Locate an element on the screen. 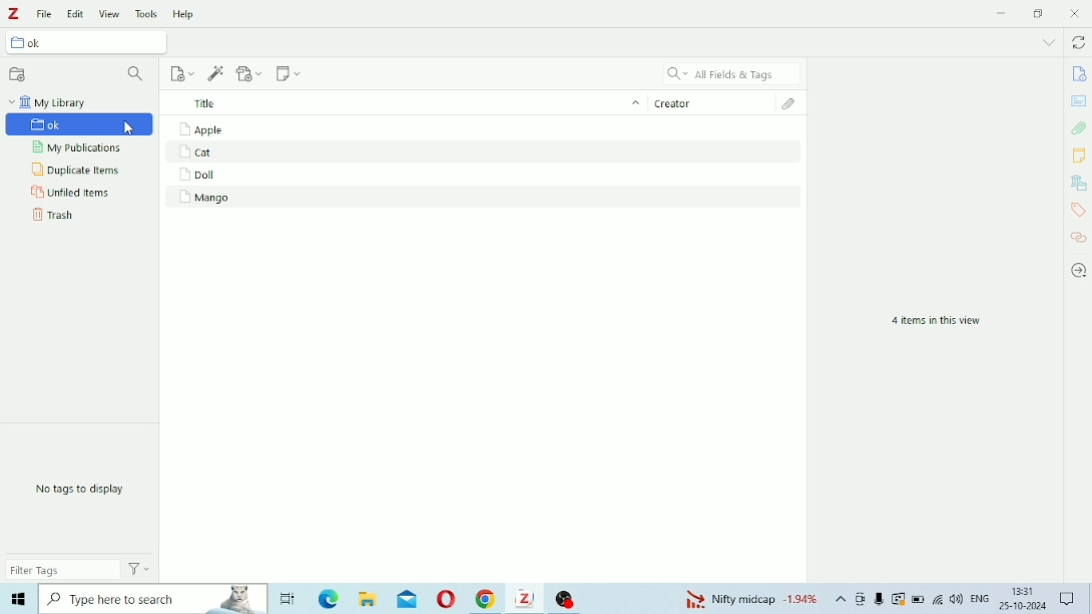 Image resolution: width=1092 pixels, height=614 pixels. Trash is located at coordinates (55, 215).